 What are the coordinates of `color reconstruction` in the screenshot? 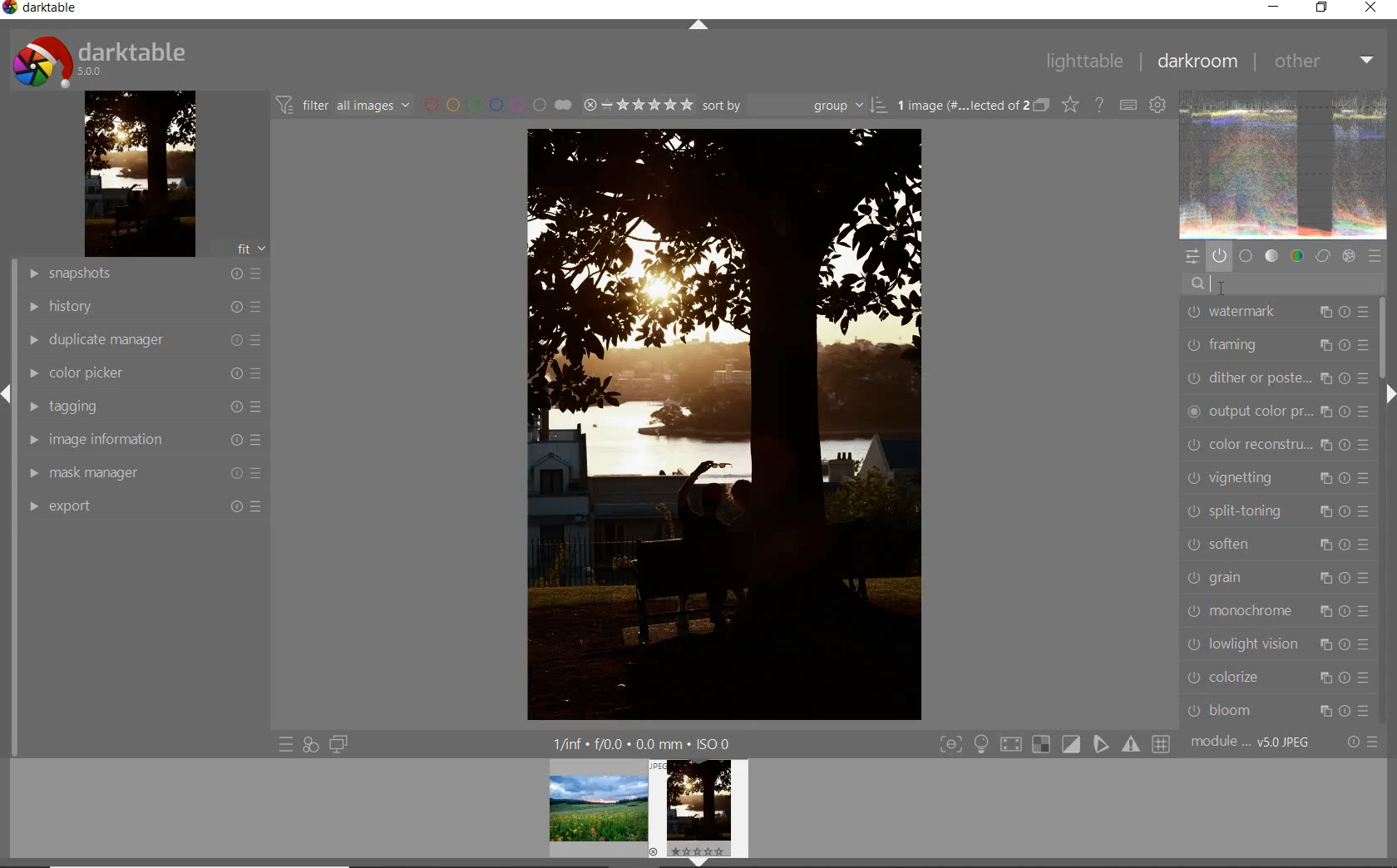 It's located at (1278, 443).